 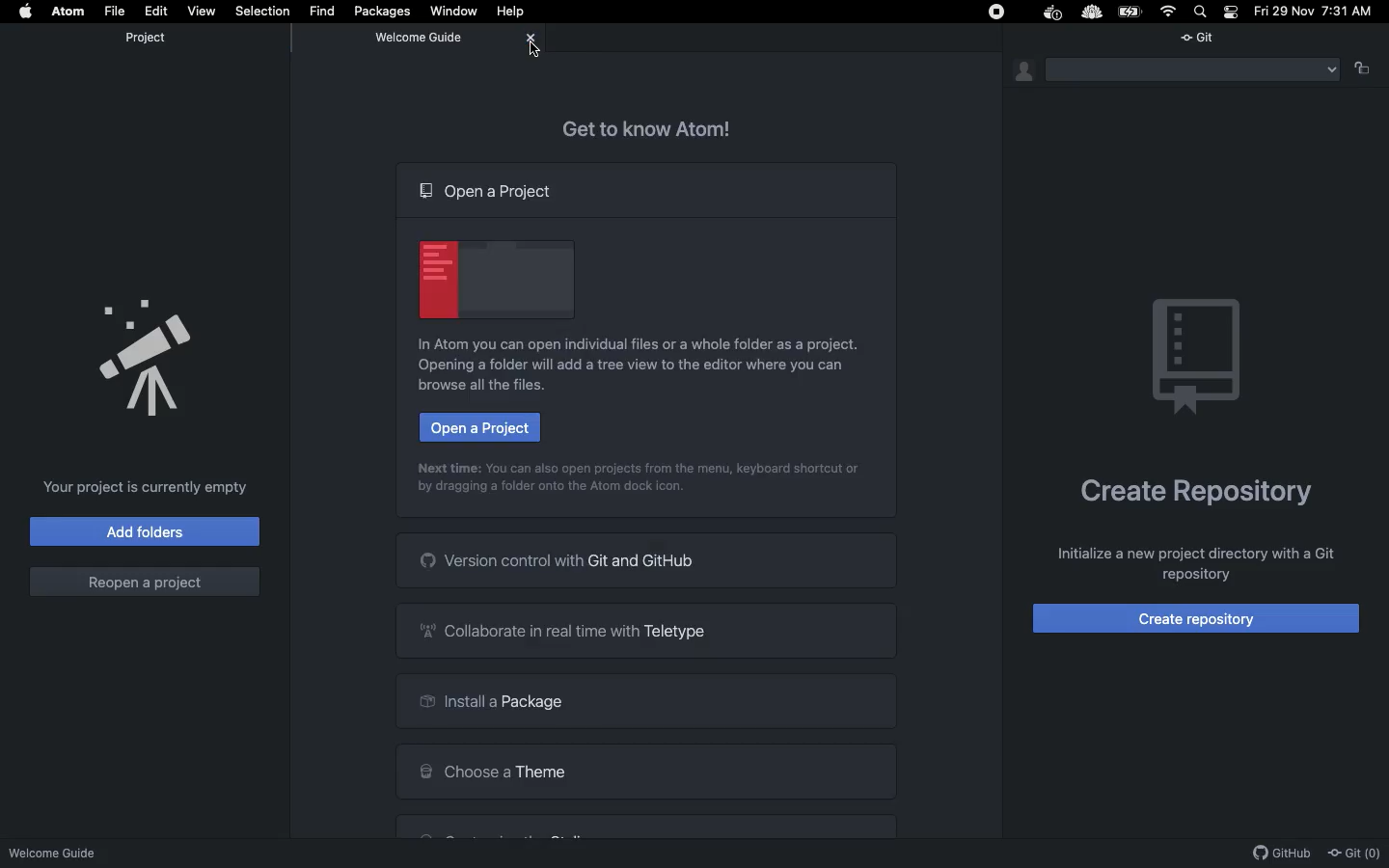 What do you see at coordinates (531, 51) in the screenshot?
I see `cursor` at bounding box center [531, 51].